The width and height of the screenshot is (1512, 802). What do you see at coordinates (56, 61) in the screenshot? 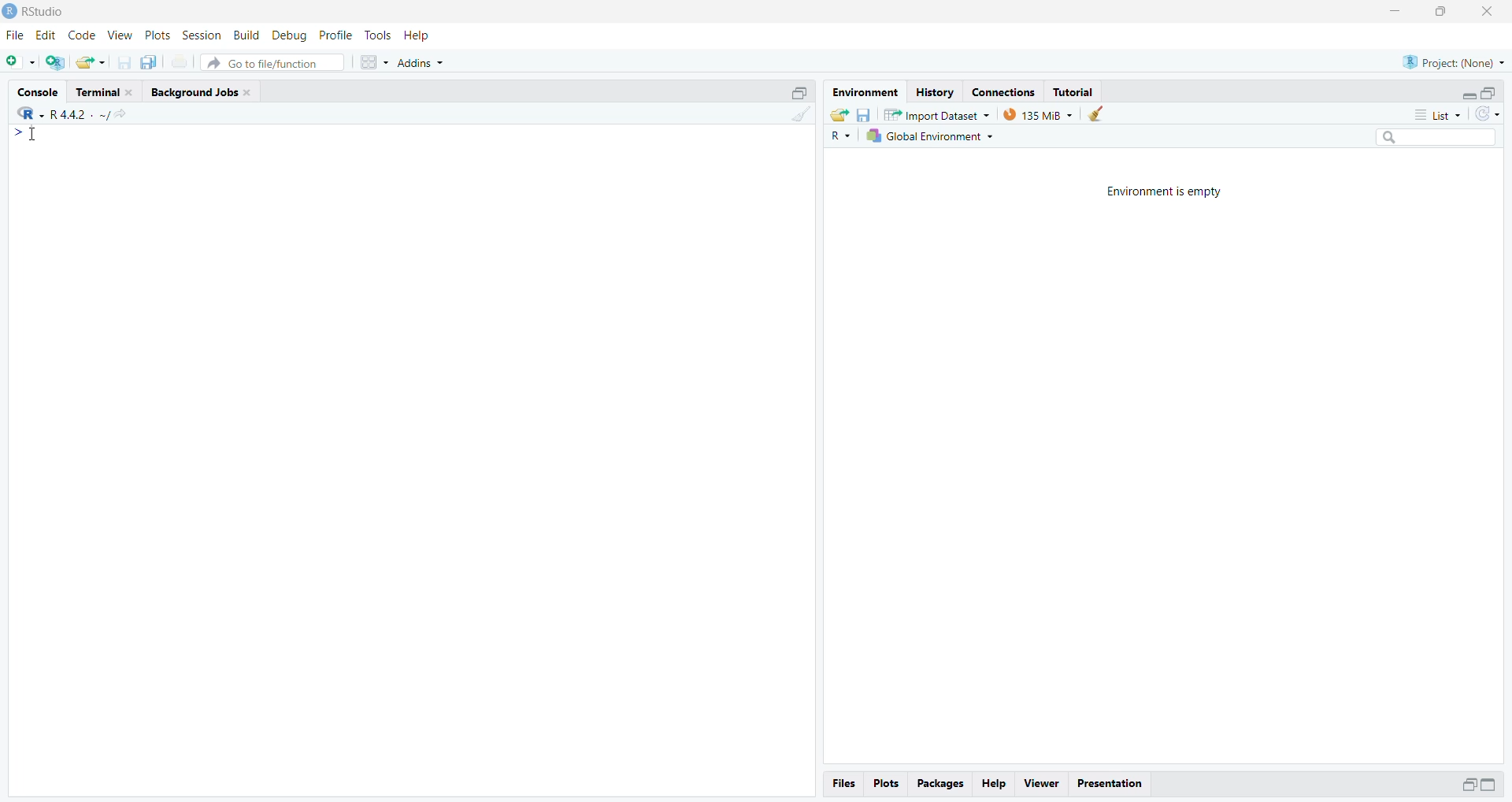
I see `Create a project` at bounding box center [56, 61].